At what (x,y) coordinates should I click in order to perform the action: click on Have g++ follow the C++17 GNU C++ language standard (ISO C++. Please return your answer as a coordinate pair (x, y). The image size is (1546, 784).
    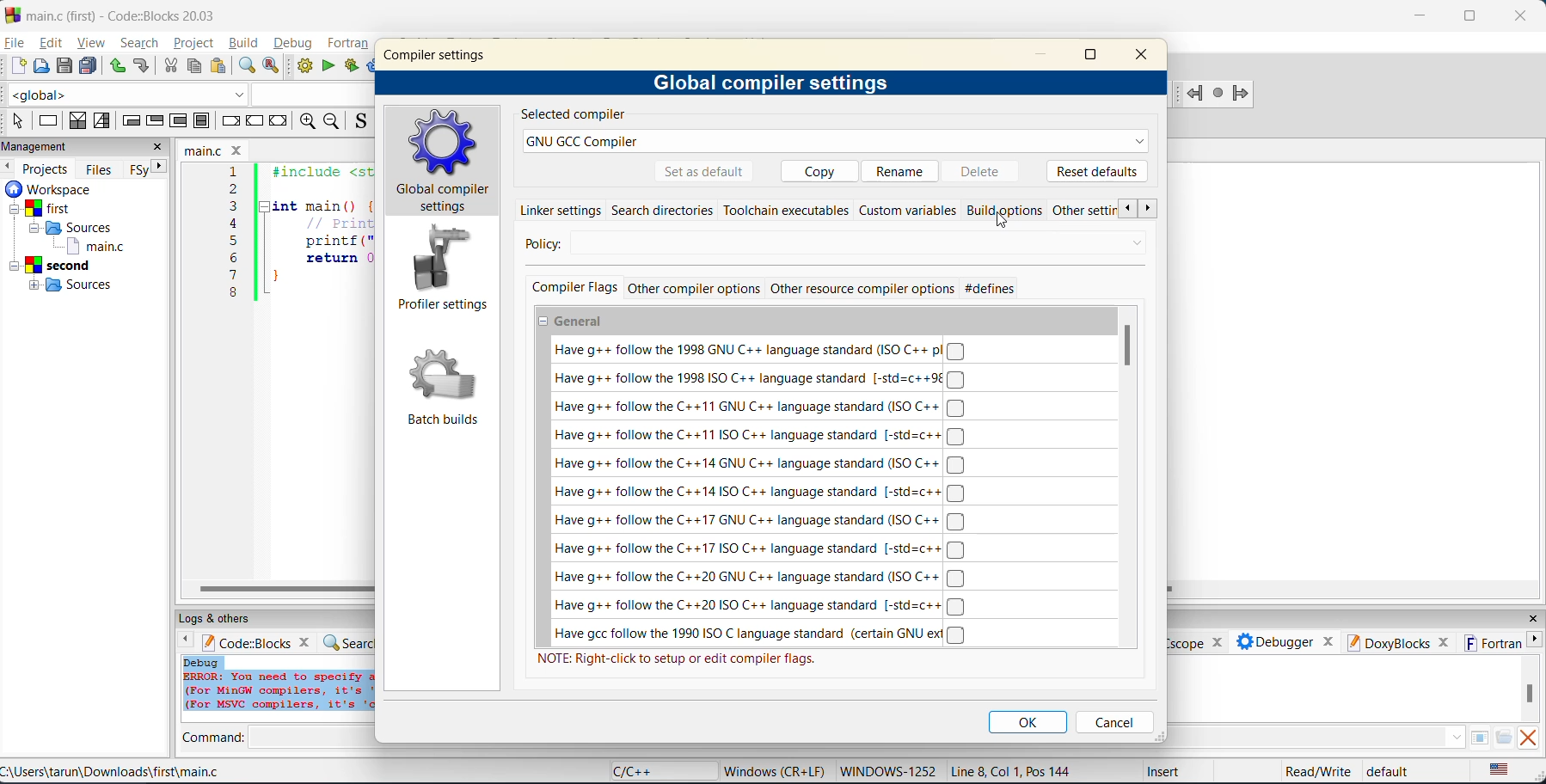
    Looking at the image, I should click on (759, 520).